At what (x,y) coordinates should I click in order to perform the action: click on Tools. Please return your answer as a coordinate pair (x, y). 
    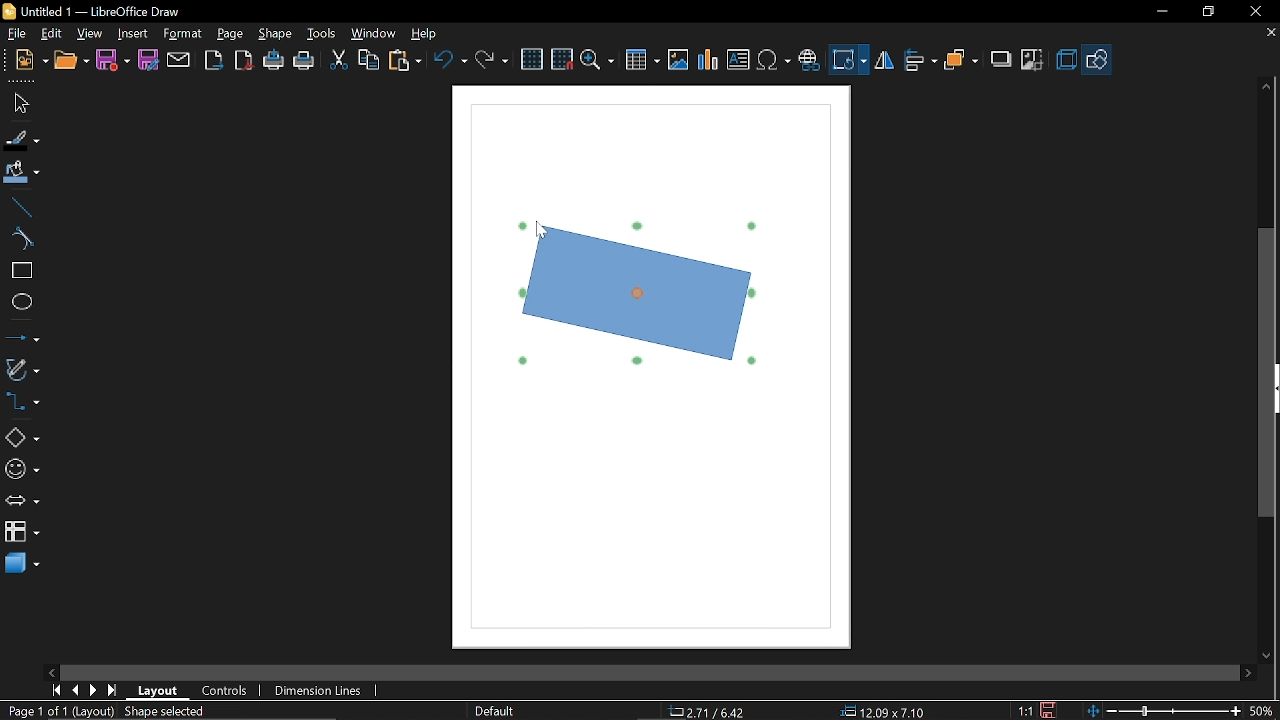
    Looking at the image, I should click on (320, 35).